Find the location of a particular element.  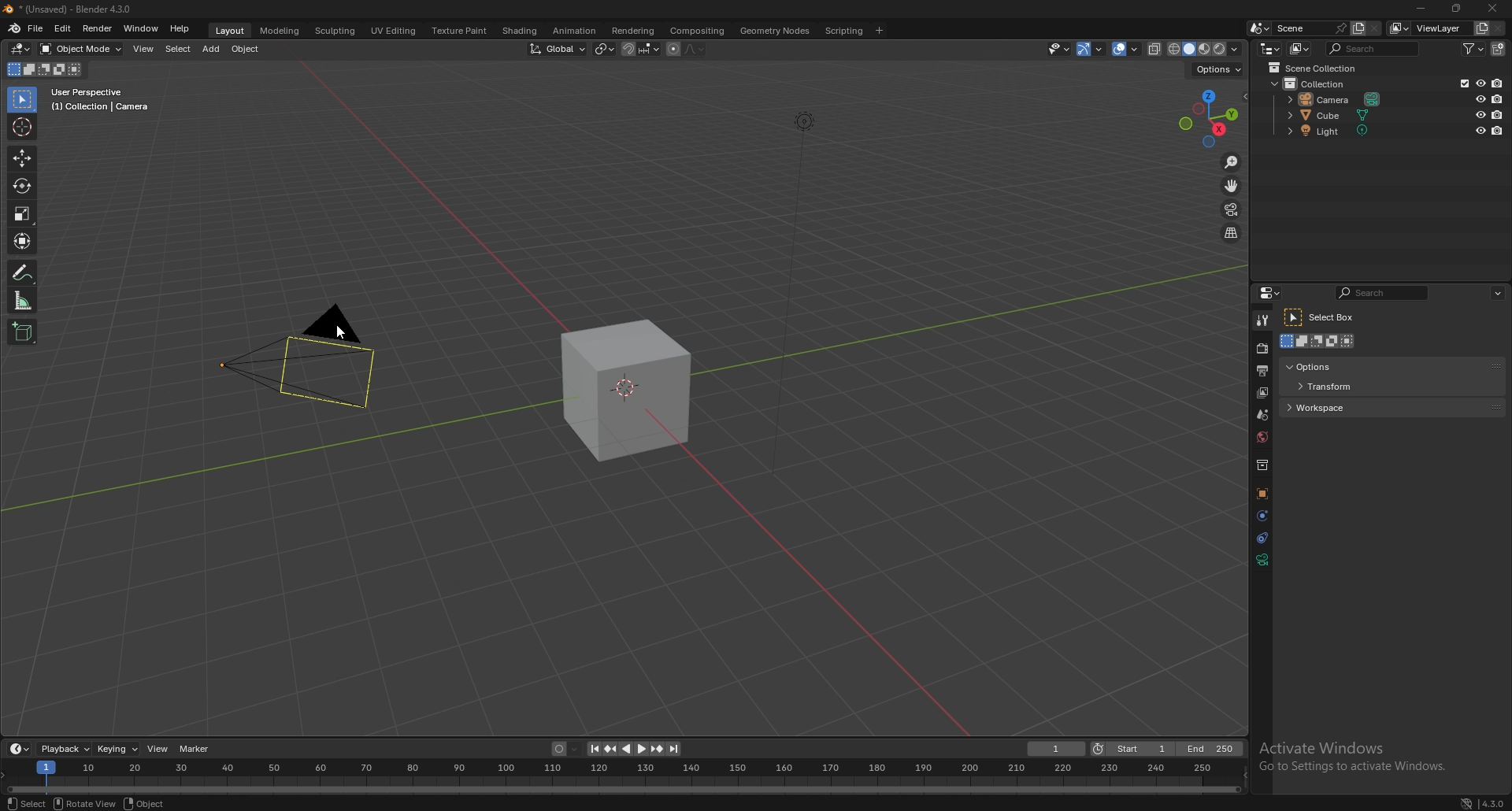

layer is located at coordinates (1262, 393).